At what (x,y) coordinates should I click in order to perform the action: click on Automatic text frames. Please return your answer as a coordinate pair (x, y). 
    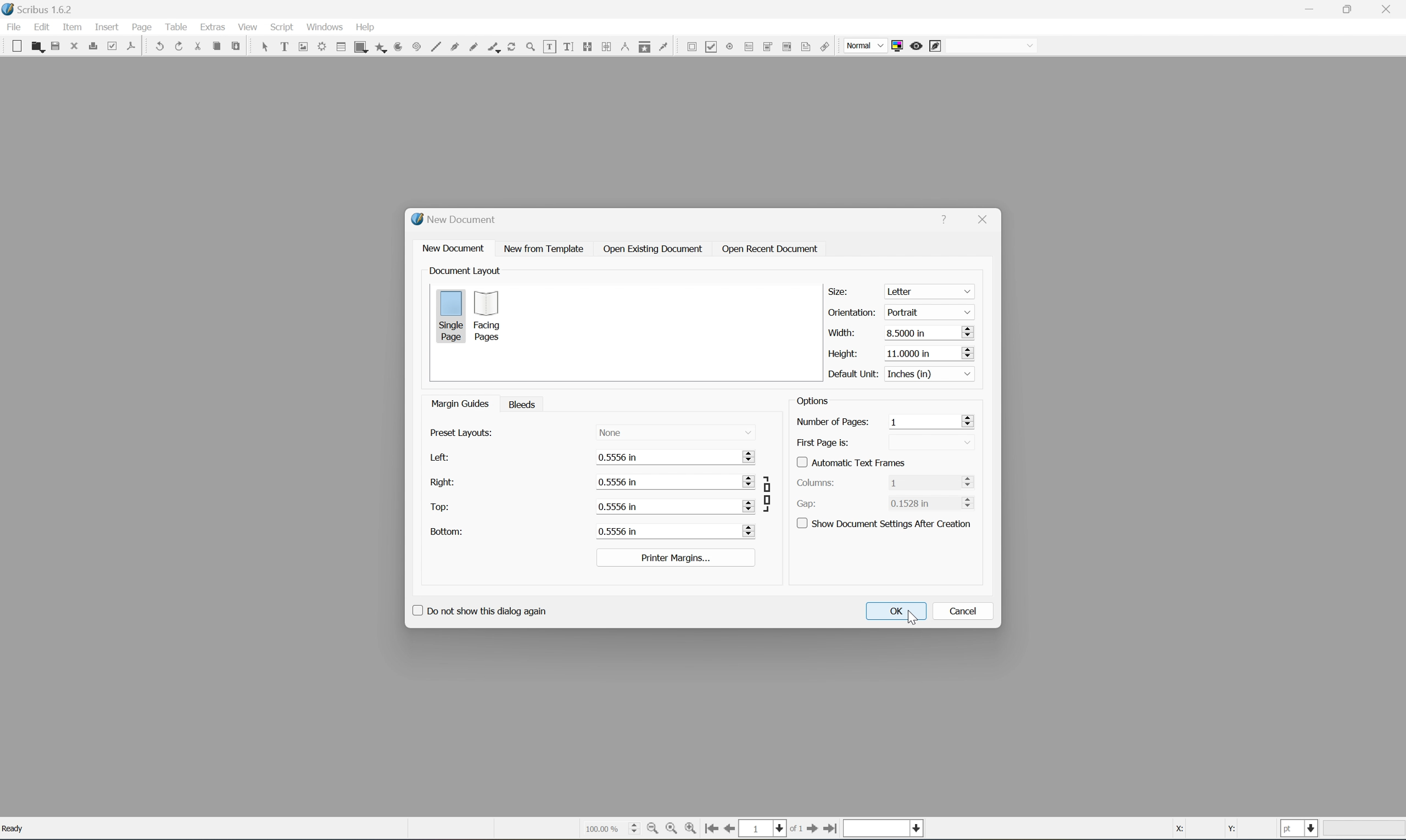
    Looking at the image, I should click on (852, 461).